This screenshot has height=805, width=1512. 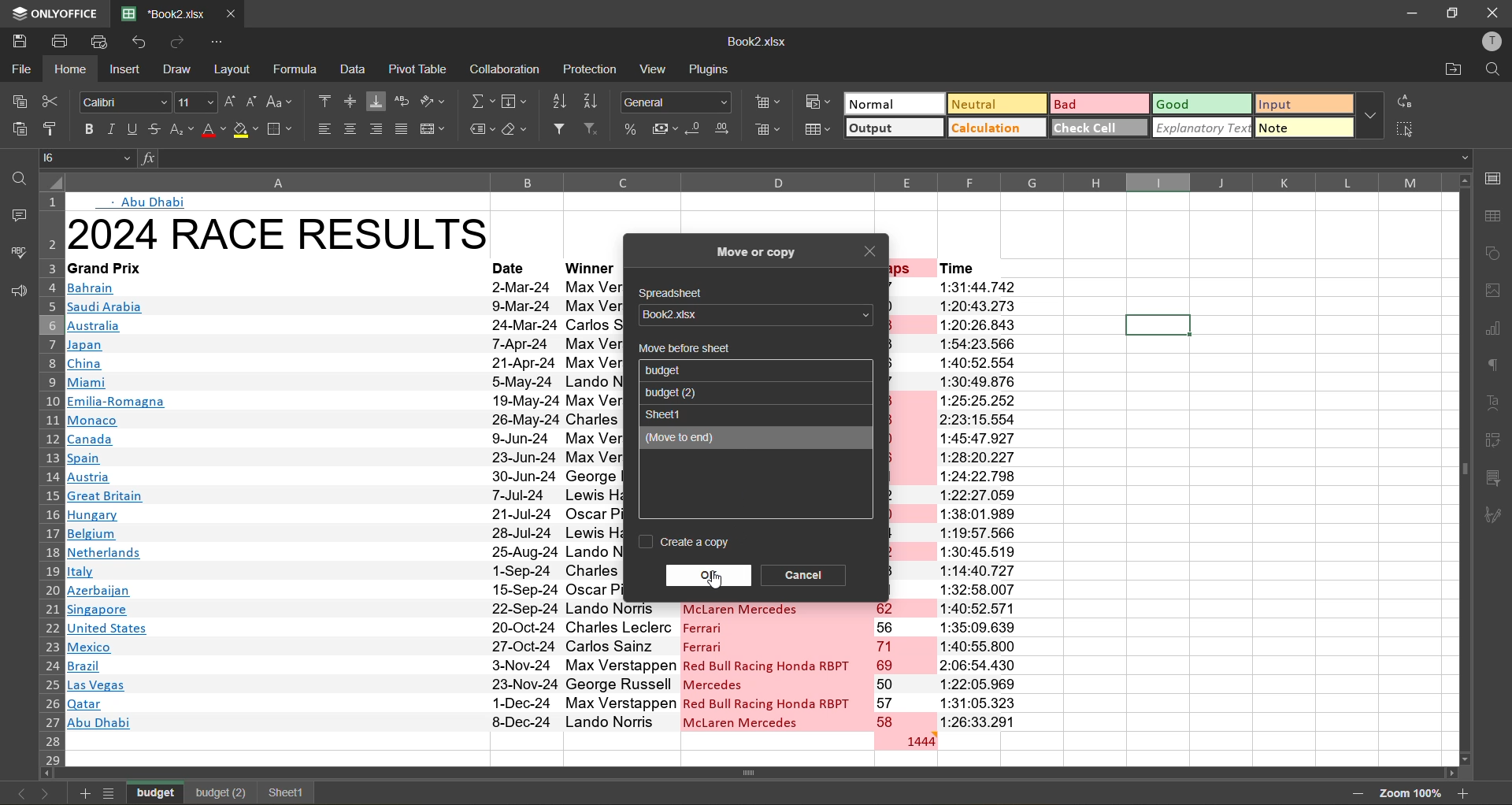 What do you see at coordinates (112, 793) in the screenshot?
I see `sheet list` at bounding box center [112, 793].